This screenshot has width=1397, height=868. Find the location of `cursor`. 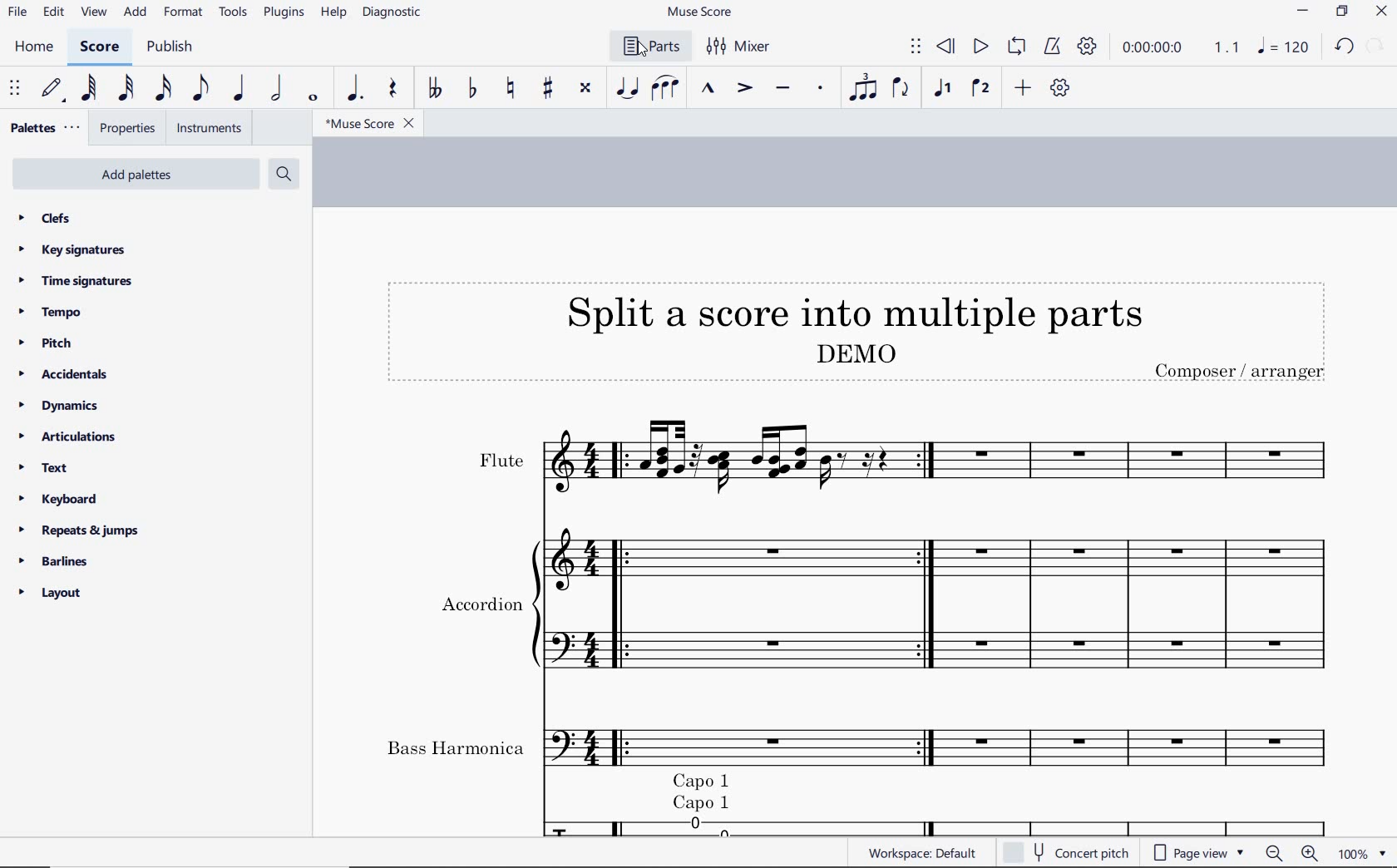

cursor is located at coordinates (644, 52).